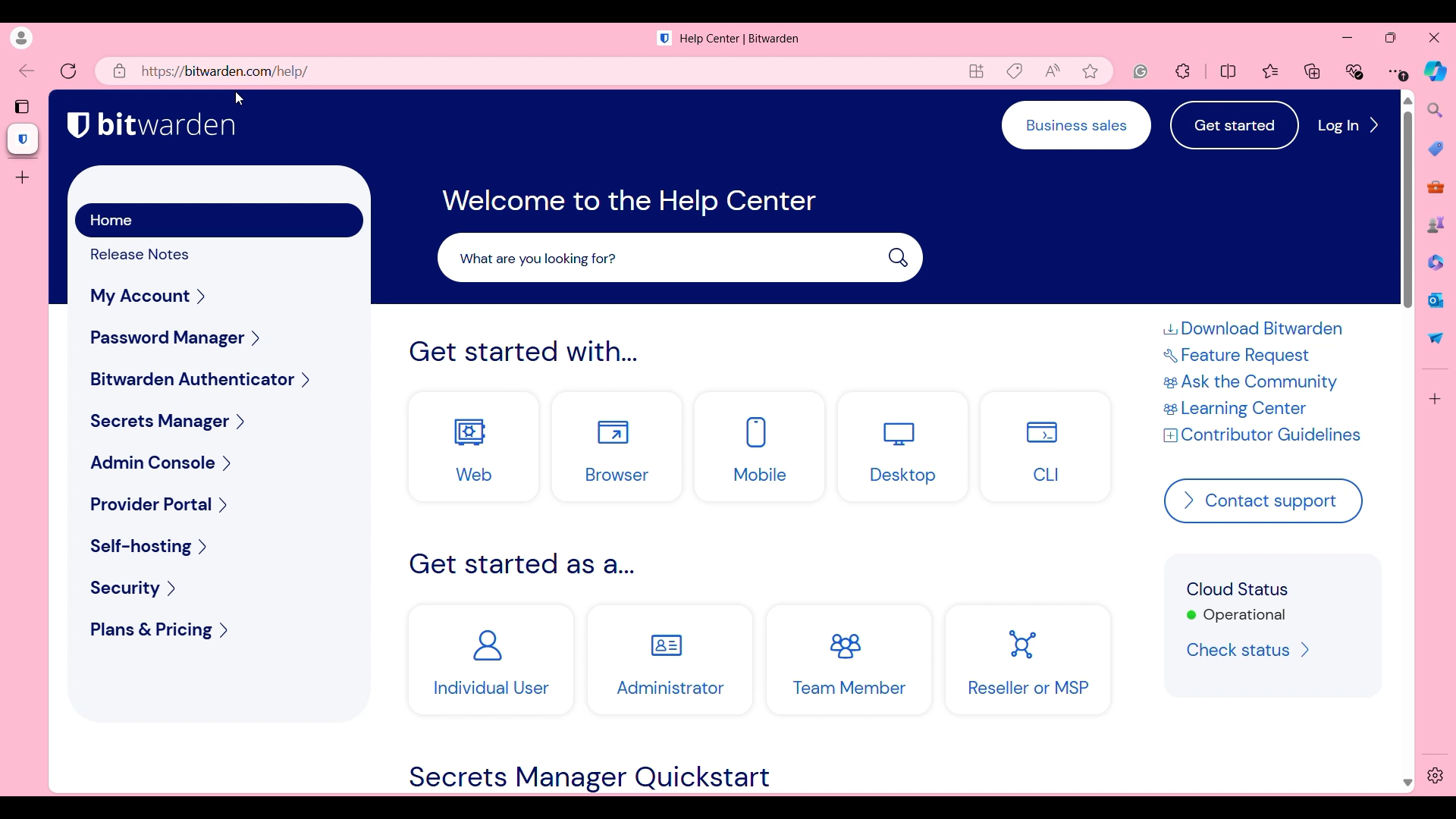  Describe the element at coordinates (1183, 71) in the screenshot. I see `Extensions` at that location.